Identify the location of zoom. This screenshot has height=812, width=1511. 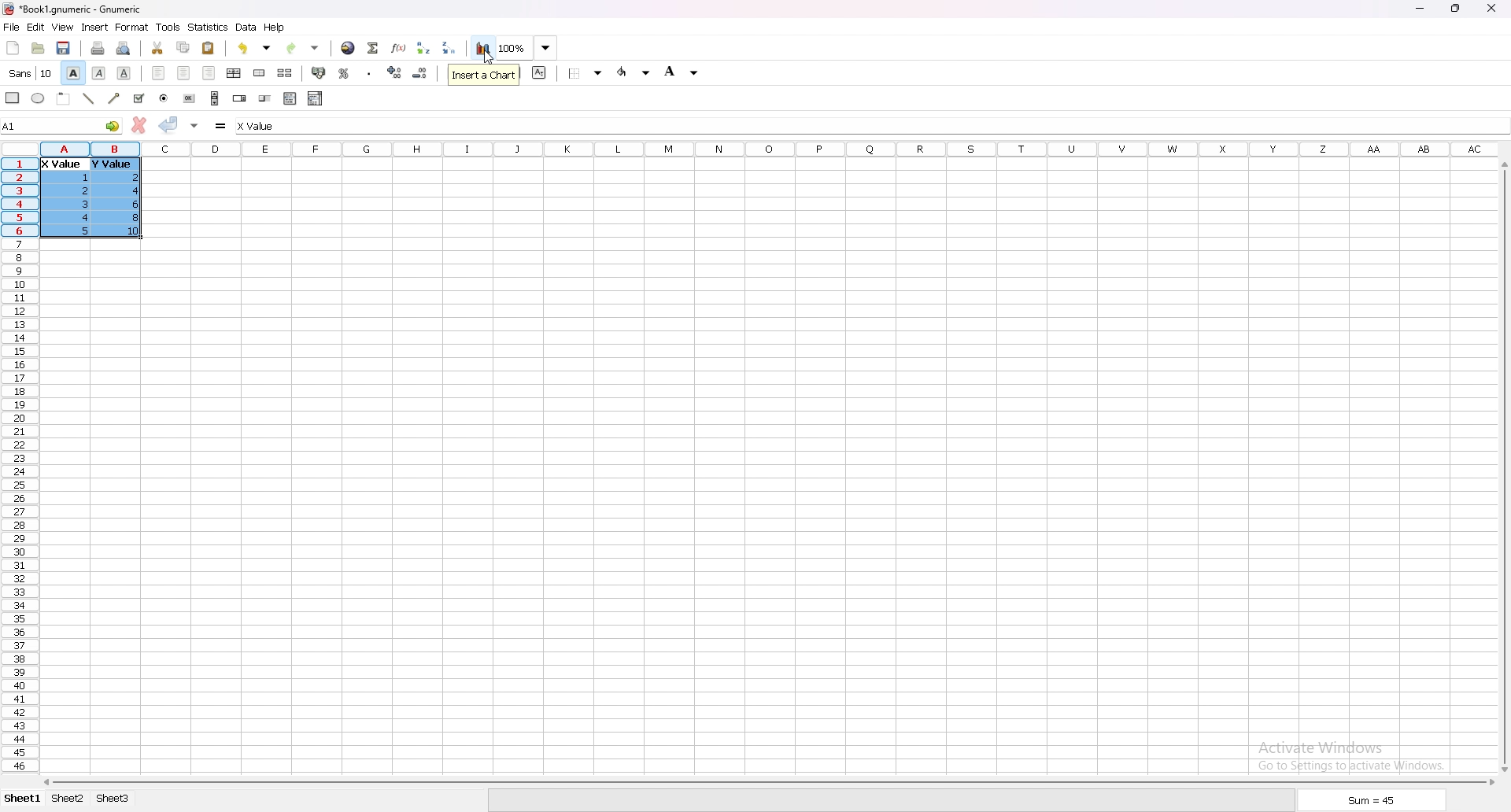
(512, 47).